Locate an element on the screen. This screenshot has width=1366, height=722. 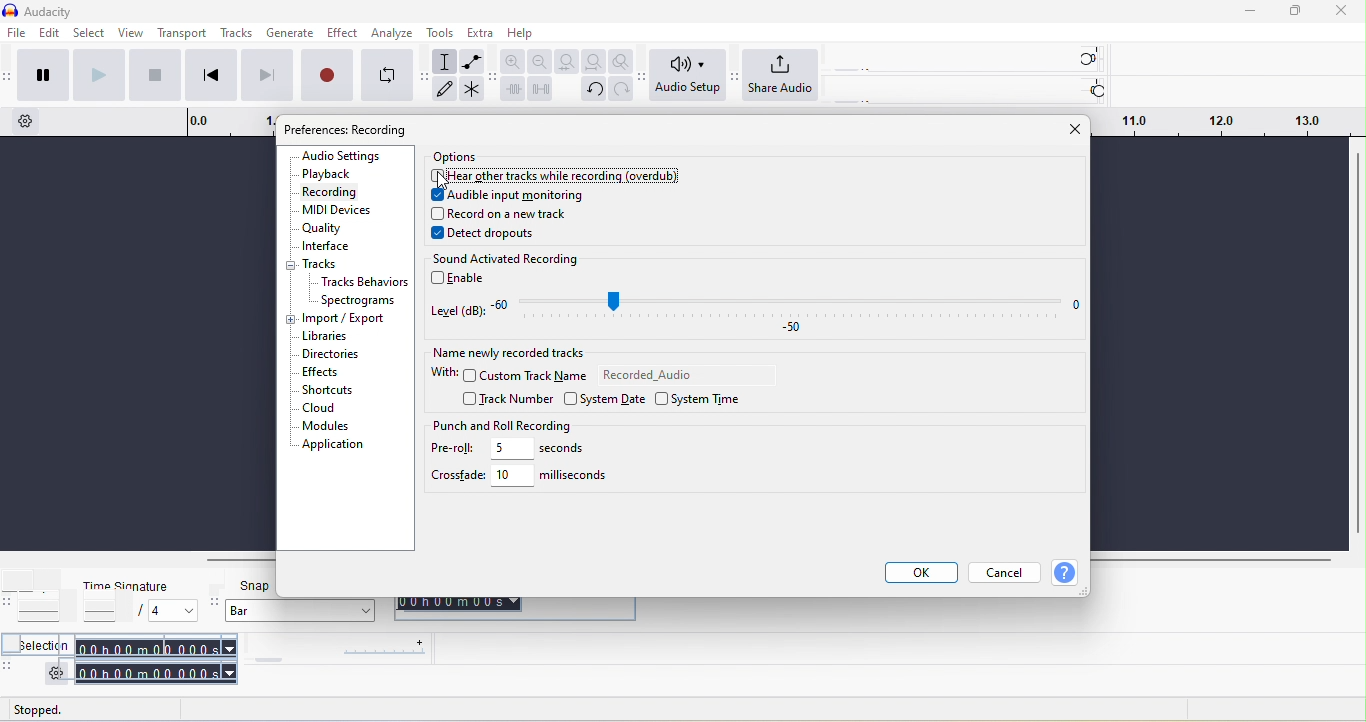
tools is located at coordinates (437, 33).